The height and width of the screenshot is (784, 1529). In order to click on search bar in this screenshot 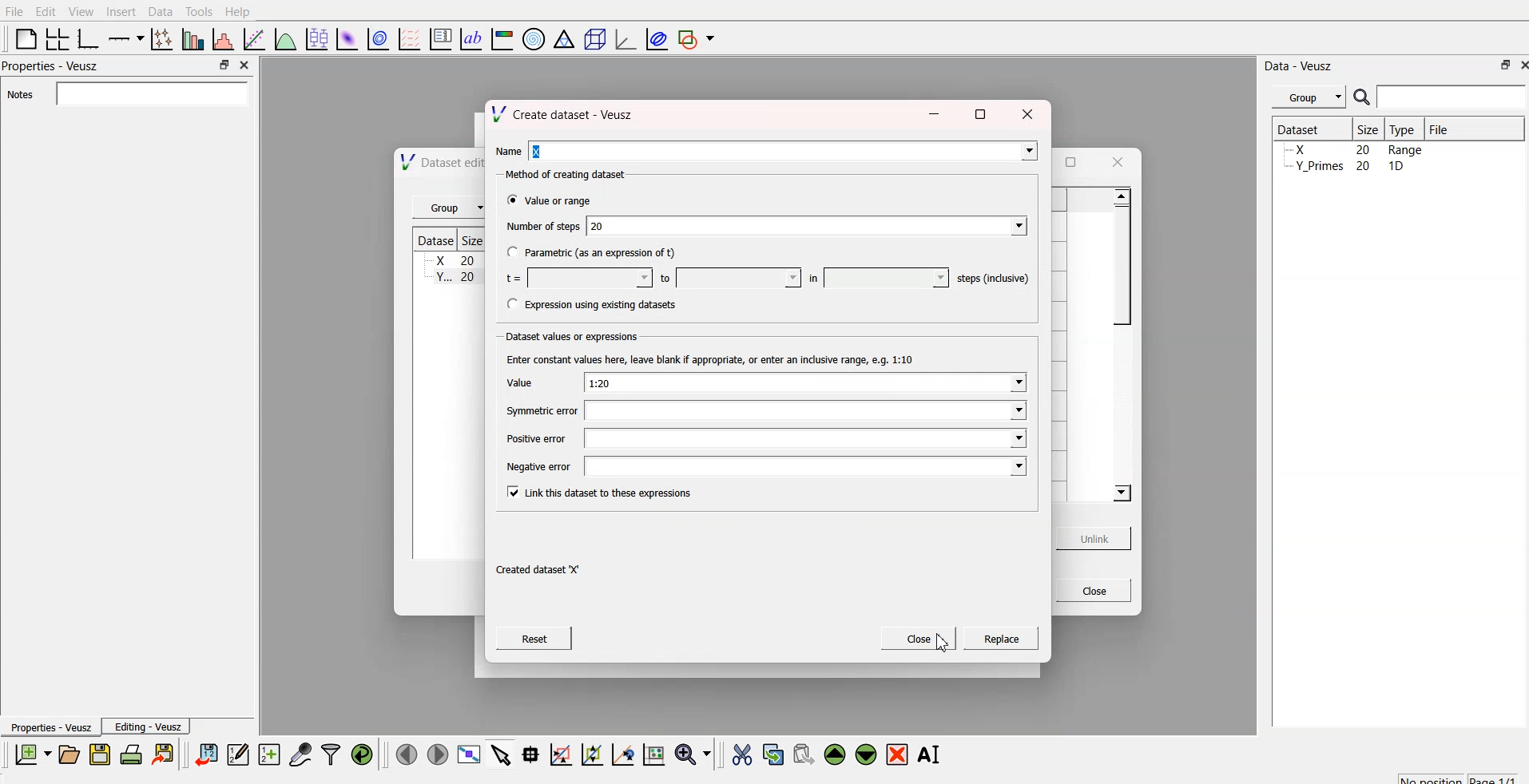, I will do `click(1452, 97)`.